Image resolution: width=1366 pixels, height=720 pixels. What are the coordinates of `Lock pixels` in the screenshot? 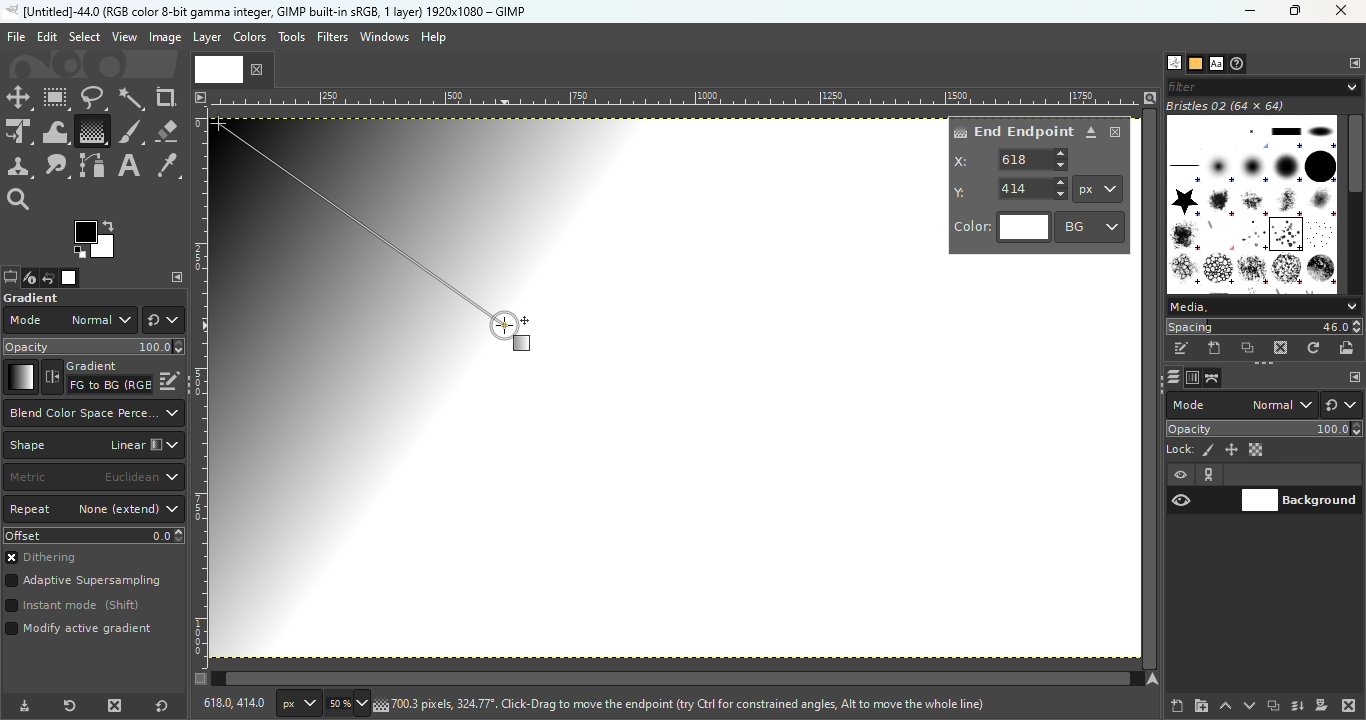 It's located at (1190, 448).